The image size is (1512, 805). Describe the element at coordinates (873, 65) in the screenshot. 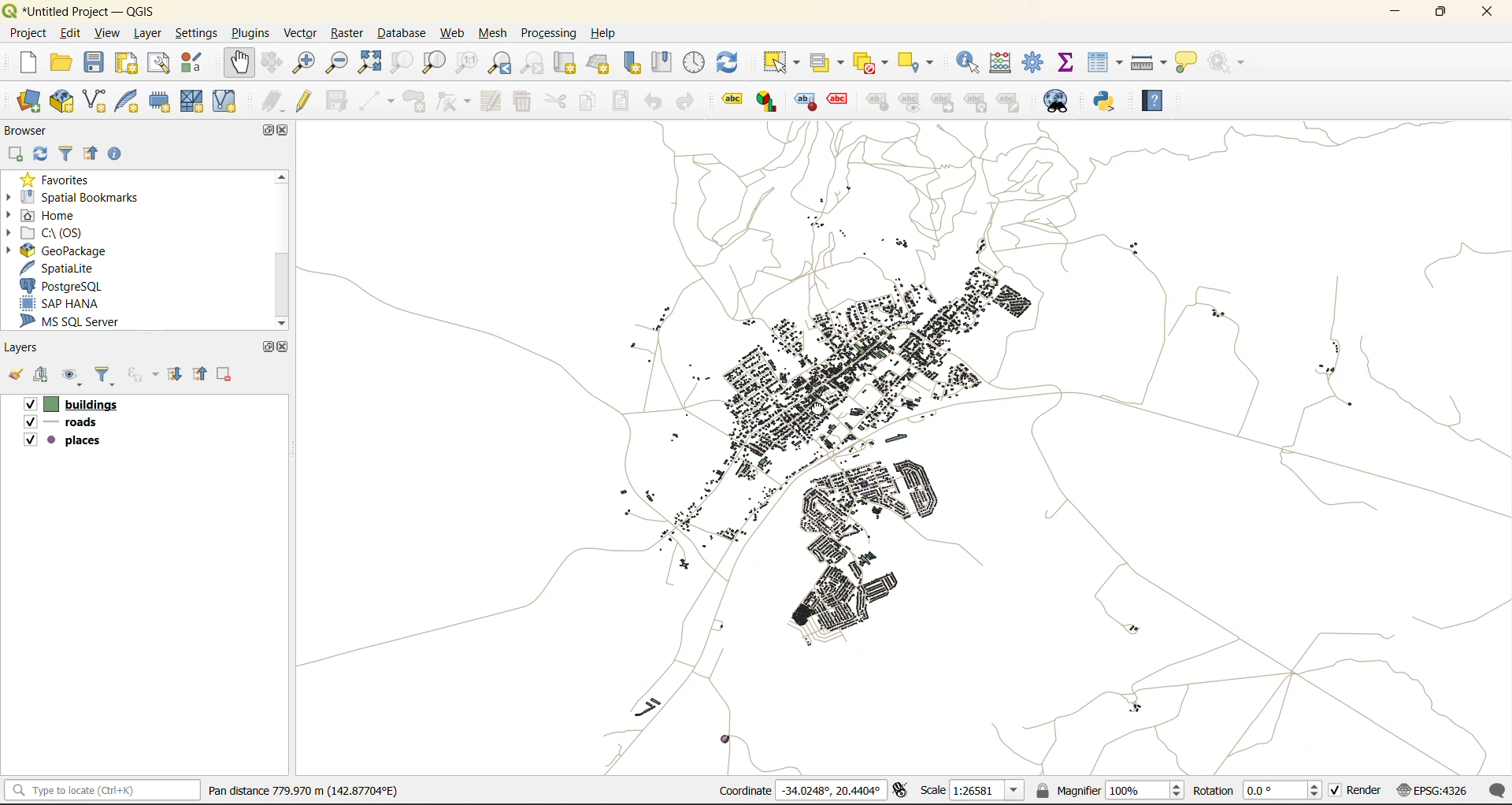

I see `deselect value` at that location.